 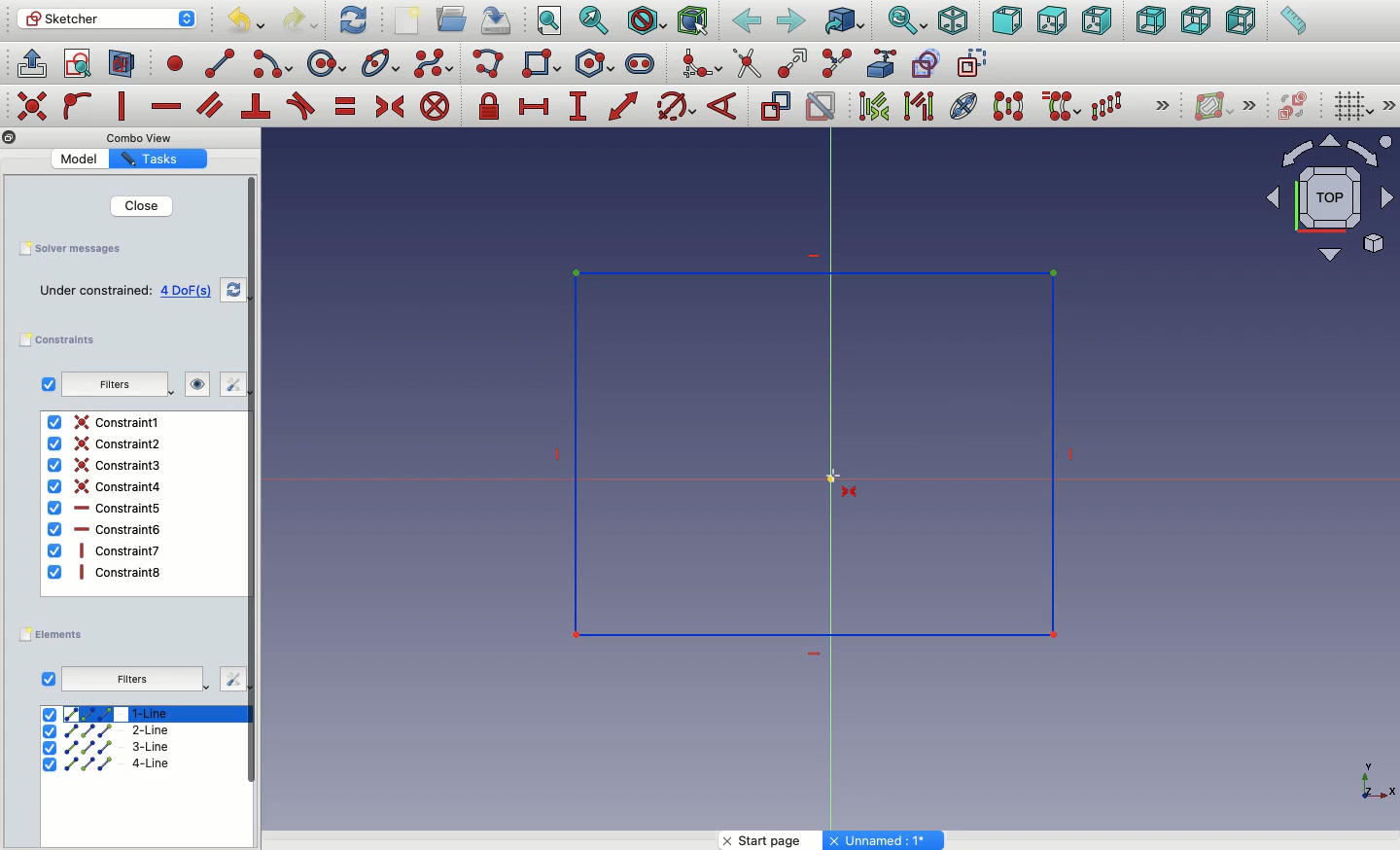 I want to click on Constraint3, so click(x=107, y=466).